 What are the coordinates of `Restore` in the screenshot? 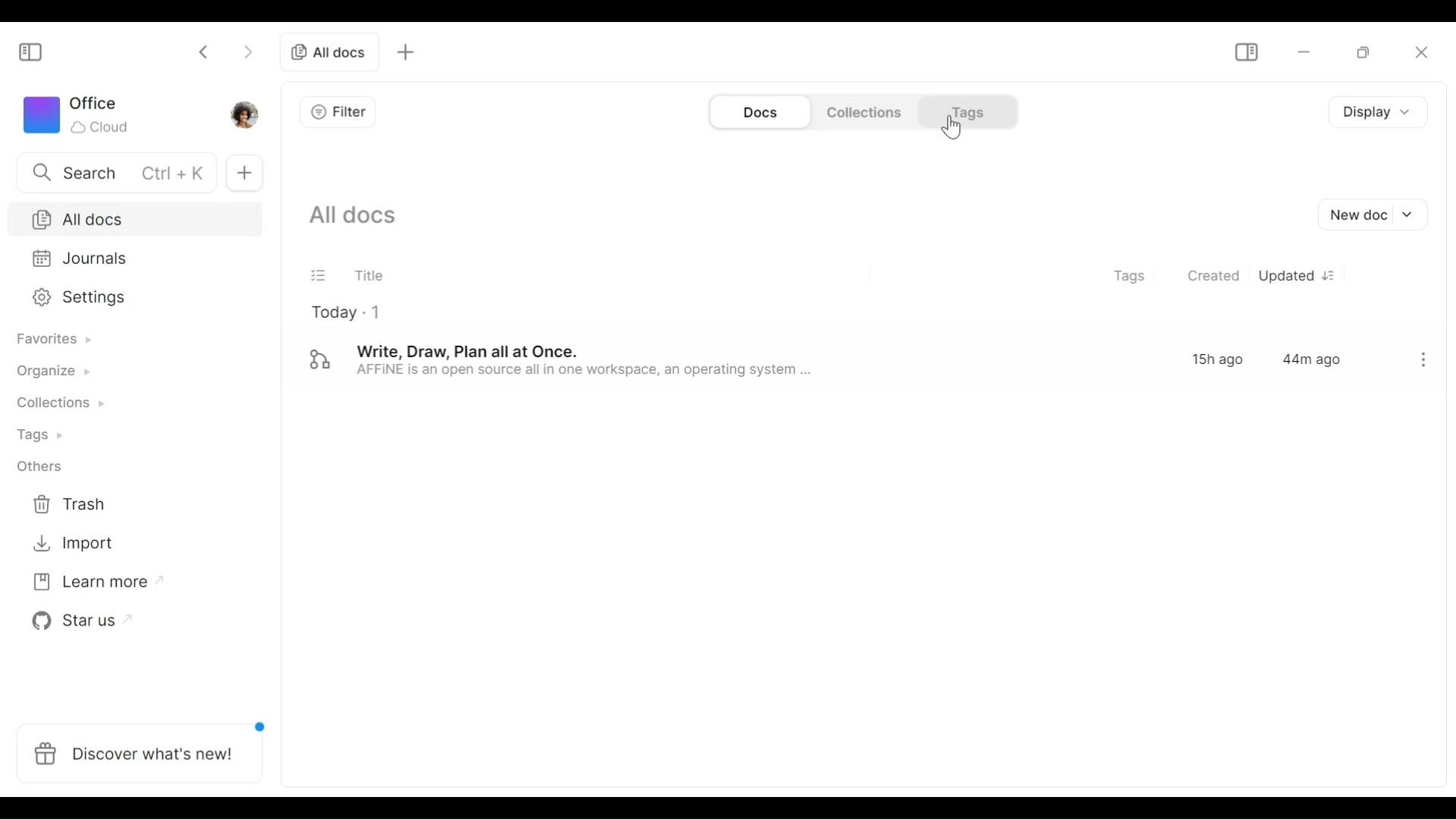 It's located at (1363, 53).